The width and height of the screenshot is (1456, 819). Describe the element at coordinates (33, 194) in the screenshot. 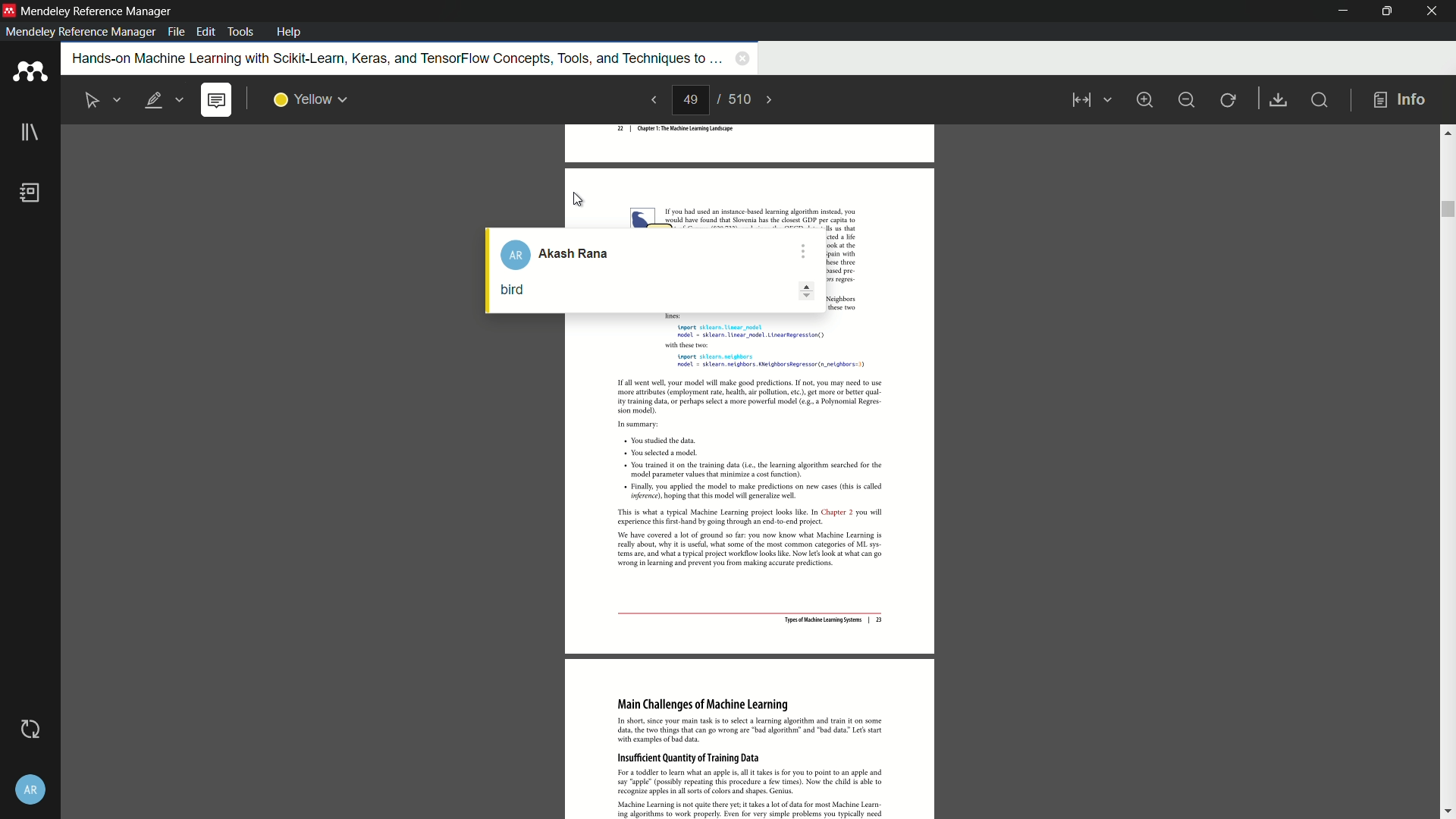

I see `book` at that location.